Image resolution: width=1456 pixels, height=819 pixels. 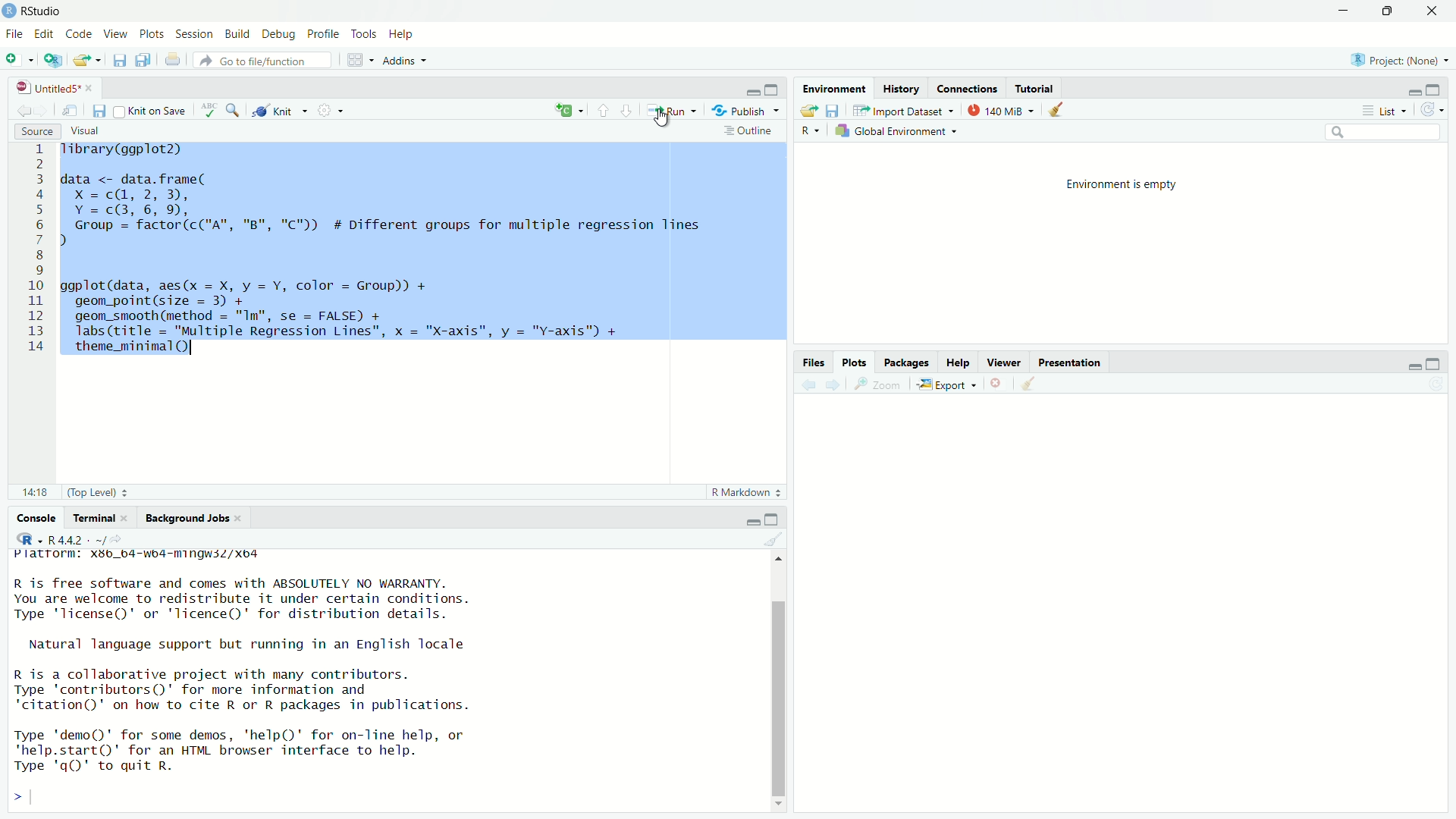 What do you see at coordinates (45, 35) in the screenshot?
I see `Edit` at bounding box center [45, 35].